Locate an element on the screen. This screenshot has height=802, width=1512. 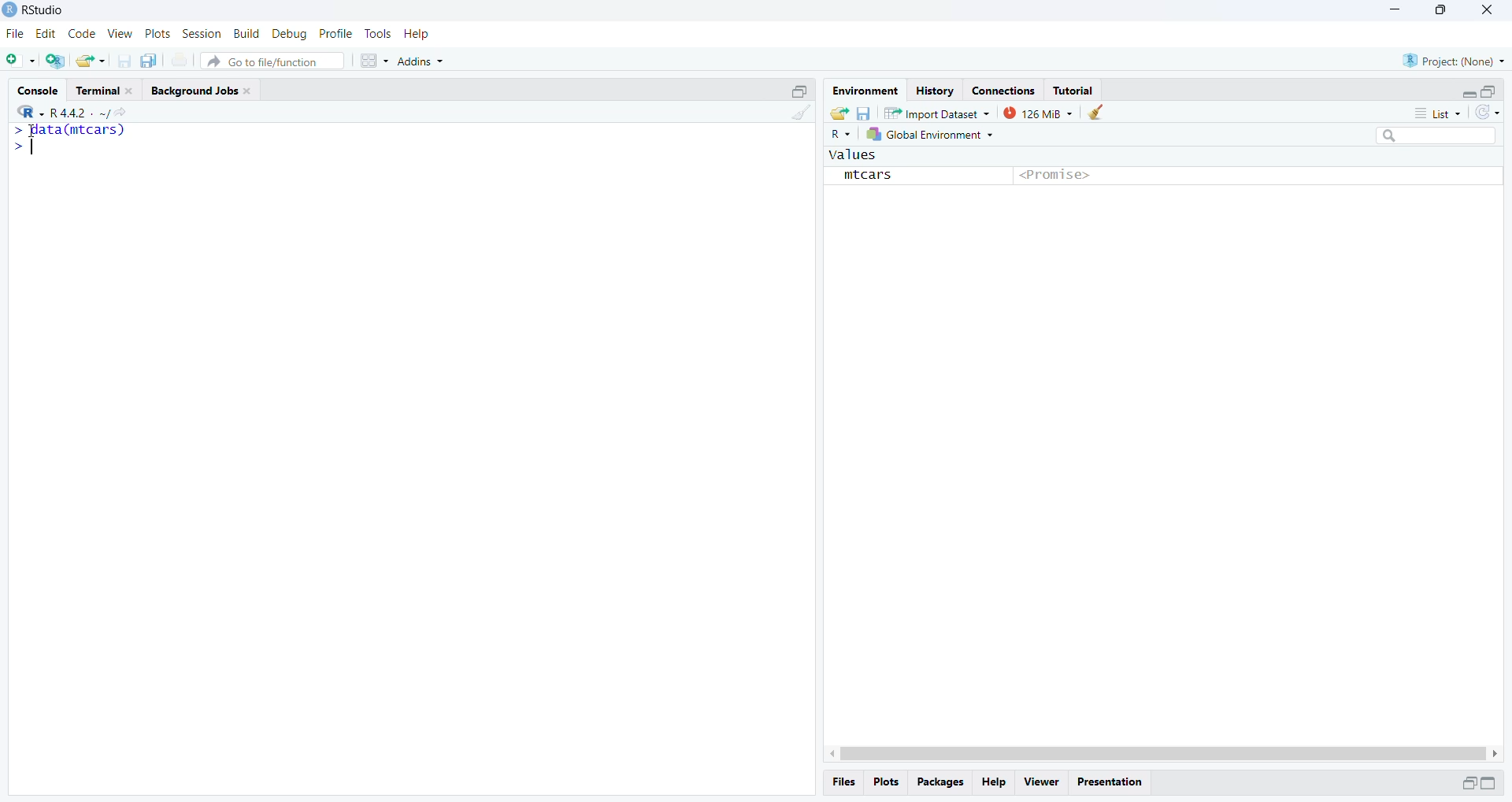
Import Dataset is located at coordinates (936, 113).